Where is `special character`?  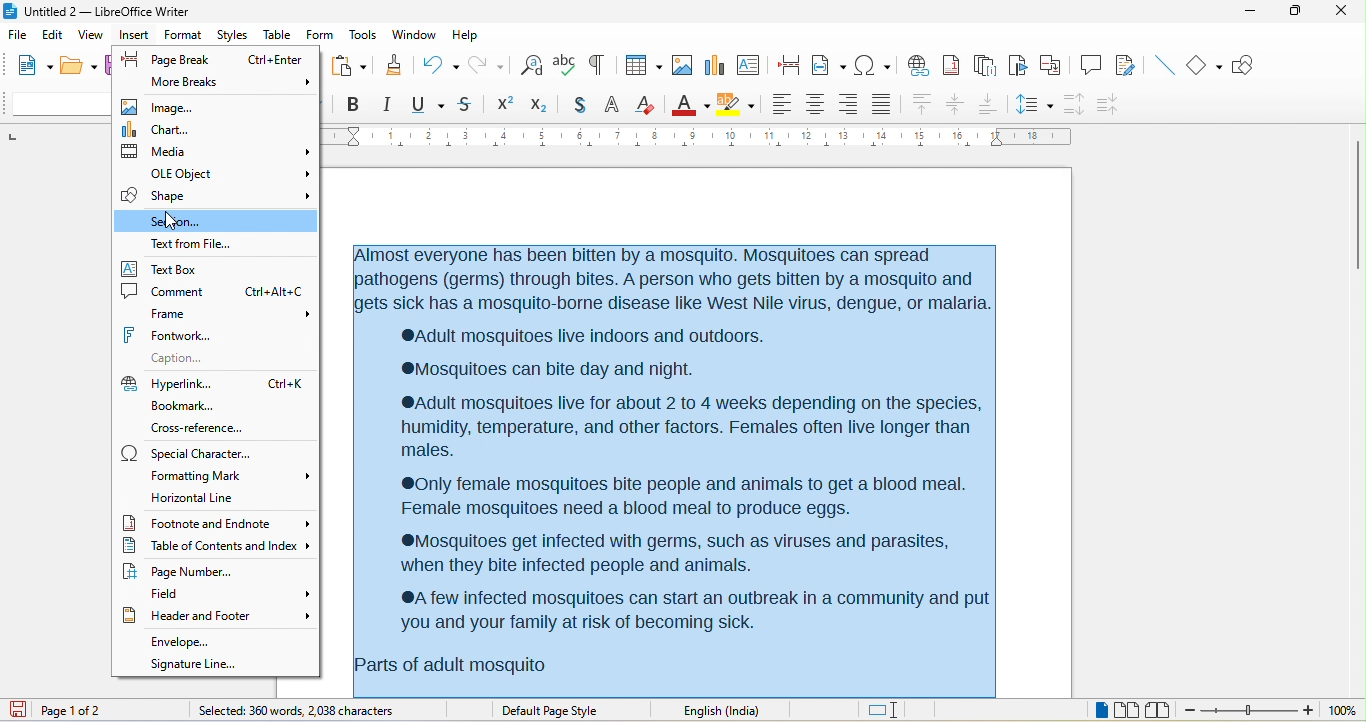
special character is located at coordinates (216, 453).